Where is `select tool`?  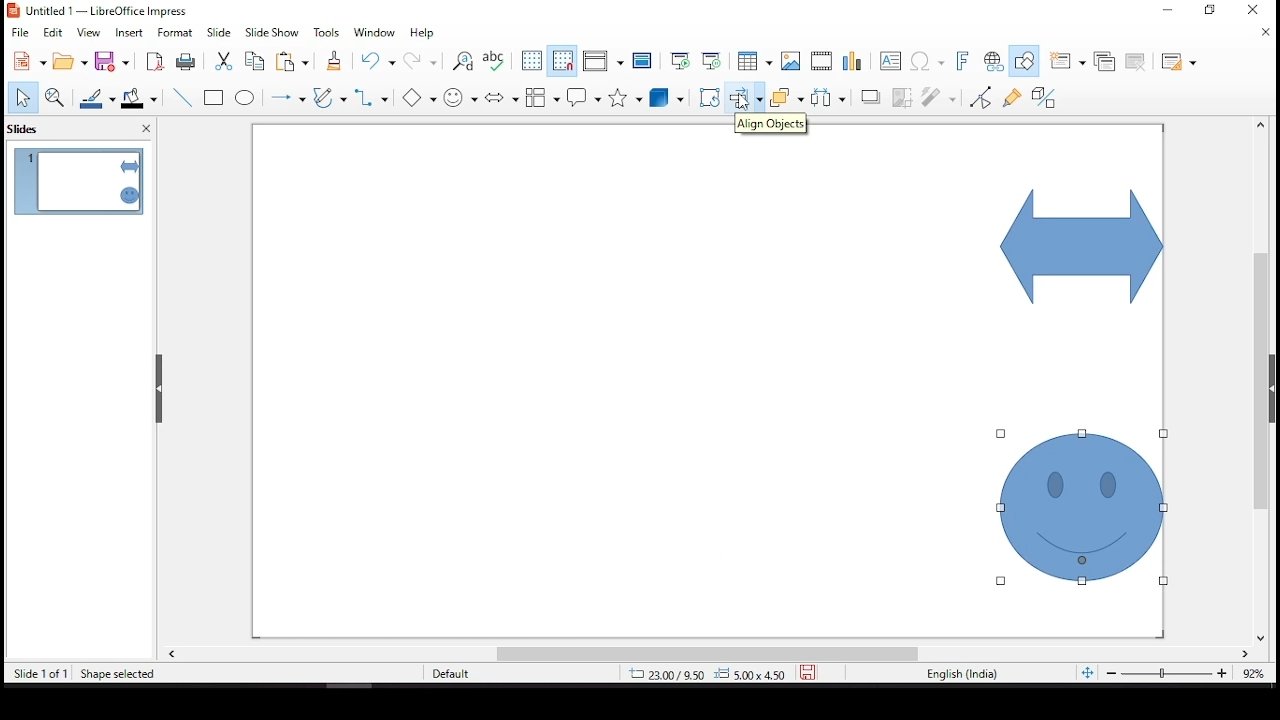 select tool is located at coordinates (23, 96).